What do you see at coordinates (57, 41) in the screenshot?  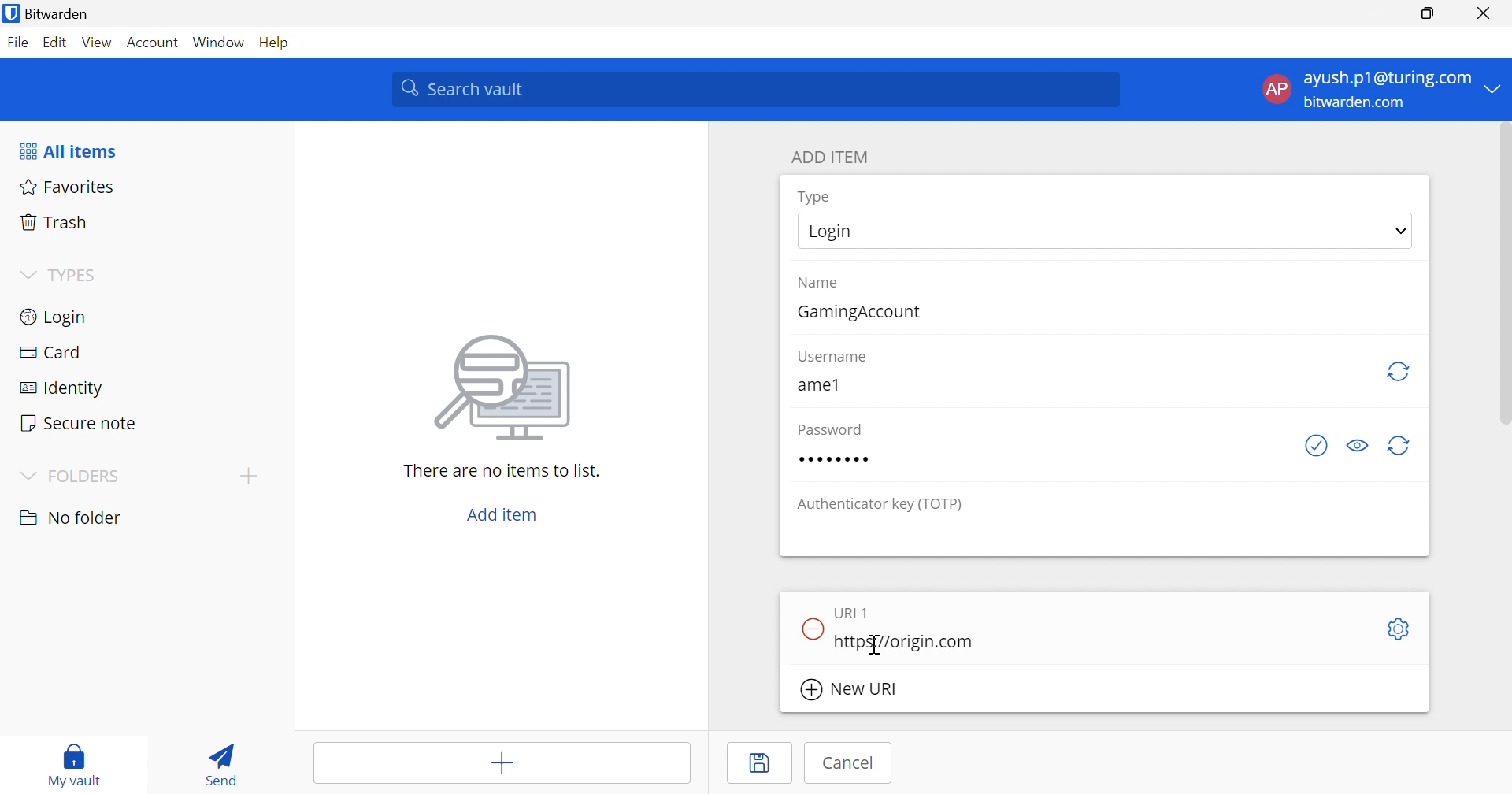 I see `Edit` at bounding box center [57, 41].